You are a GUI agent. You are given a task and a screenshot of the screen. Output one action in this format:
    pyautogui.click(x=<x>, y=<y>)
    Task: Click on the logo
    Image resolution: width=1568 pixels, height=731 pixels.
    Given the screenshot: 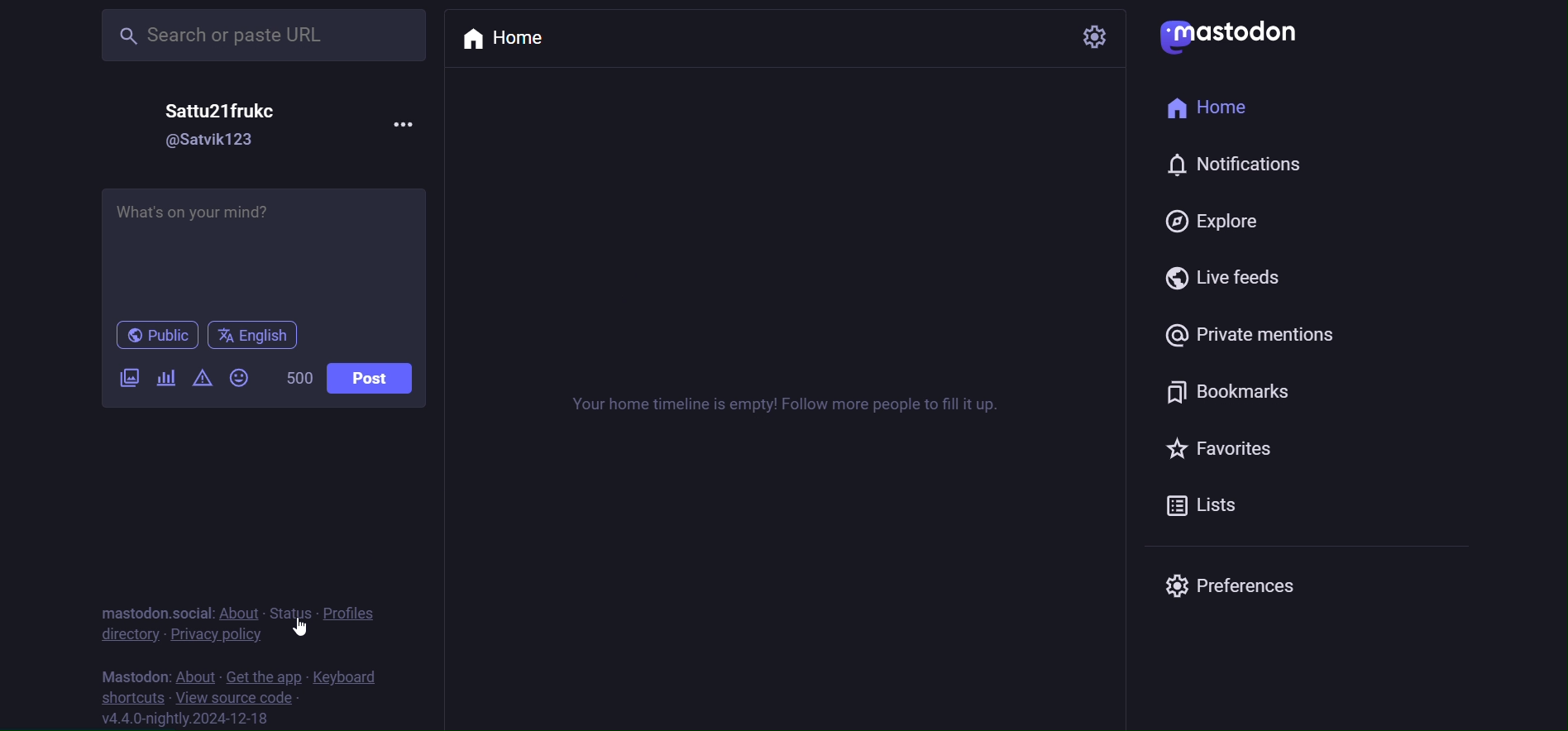 What is the action you would take?
    pyautogui.click(x=1224, y=38)
    